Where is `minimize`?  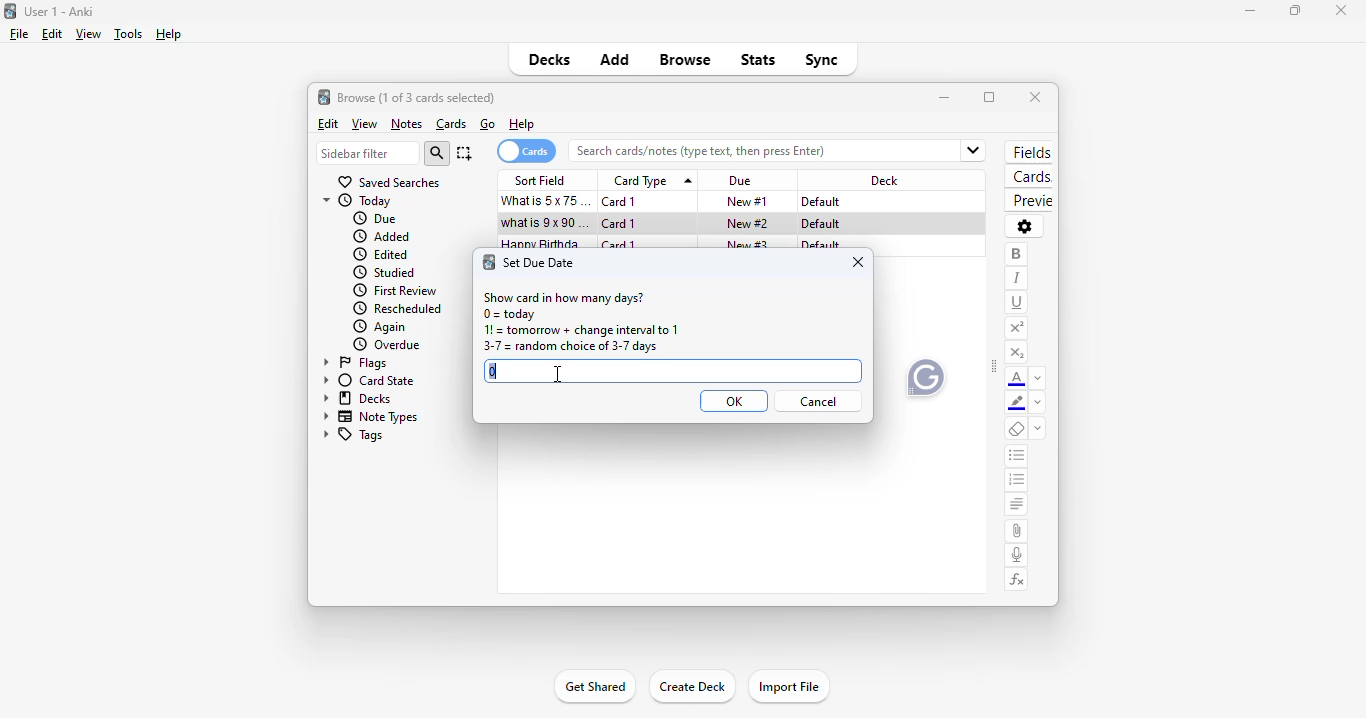 minimize is located at coordinates (946, 98).